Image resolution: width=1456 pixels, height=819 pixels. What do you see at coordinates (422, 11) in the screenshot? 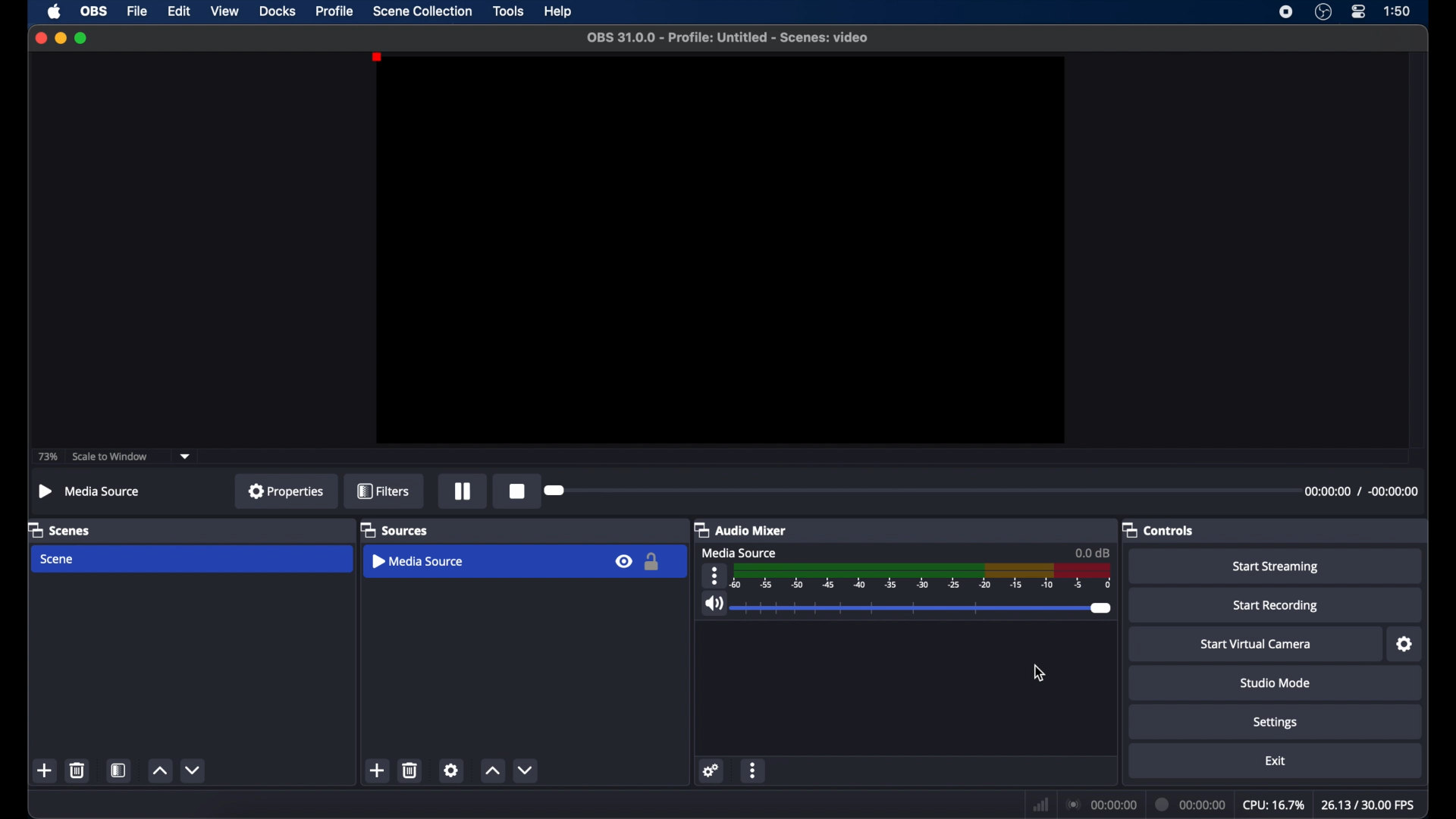
I see `scene collection` at bounding box center [422, 11].